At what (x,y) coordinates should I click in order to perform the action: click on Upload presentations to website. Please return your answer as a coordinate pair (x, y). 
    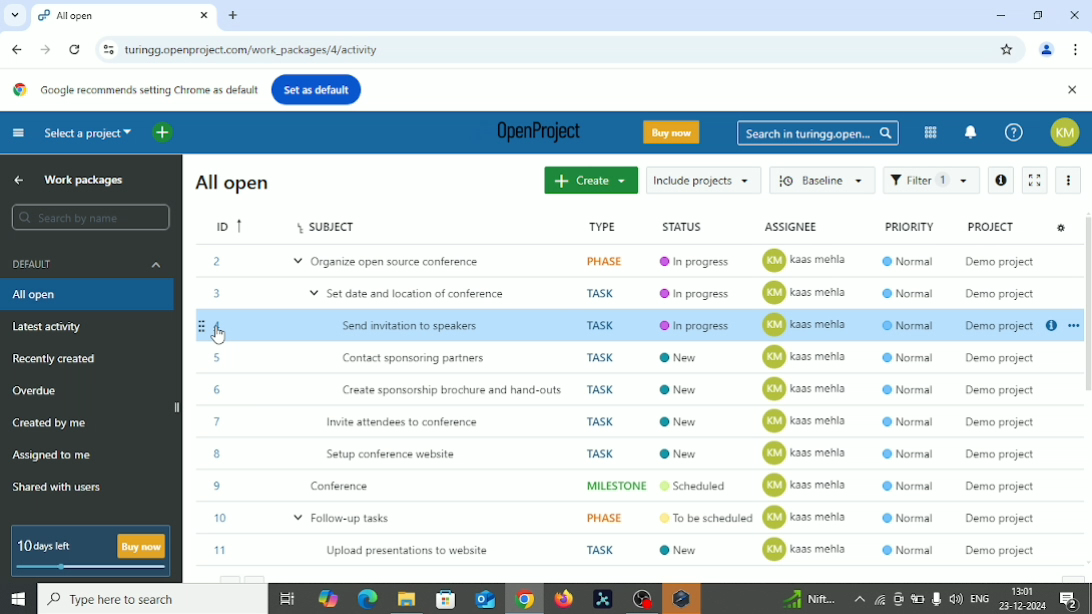
    Looking at the image, I should click on (637, 550).